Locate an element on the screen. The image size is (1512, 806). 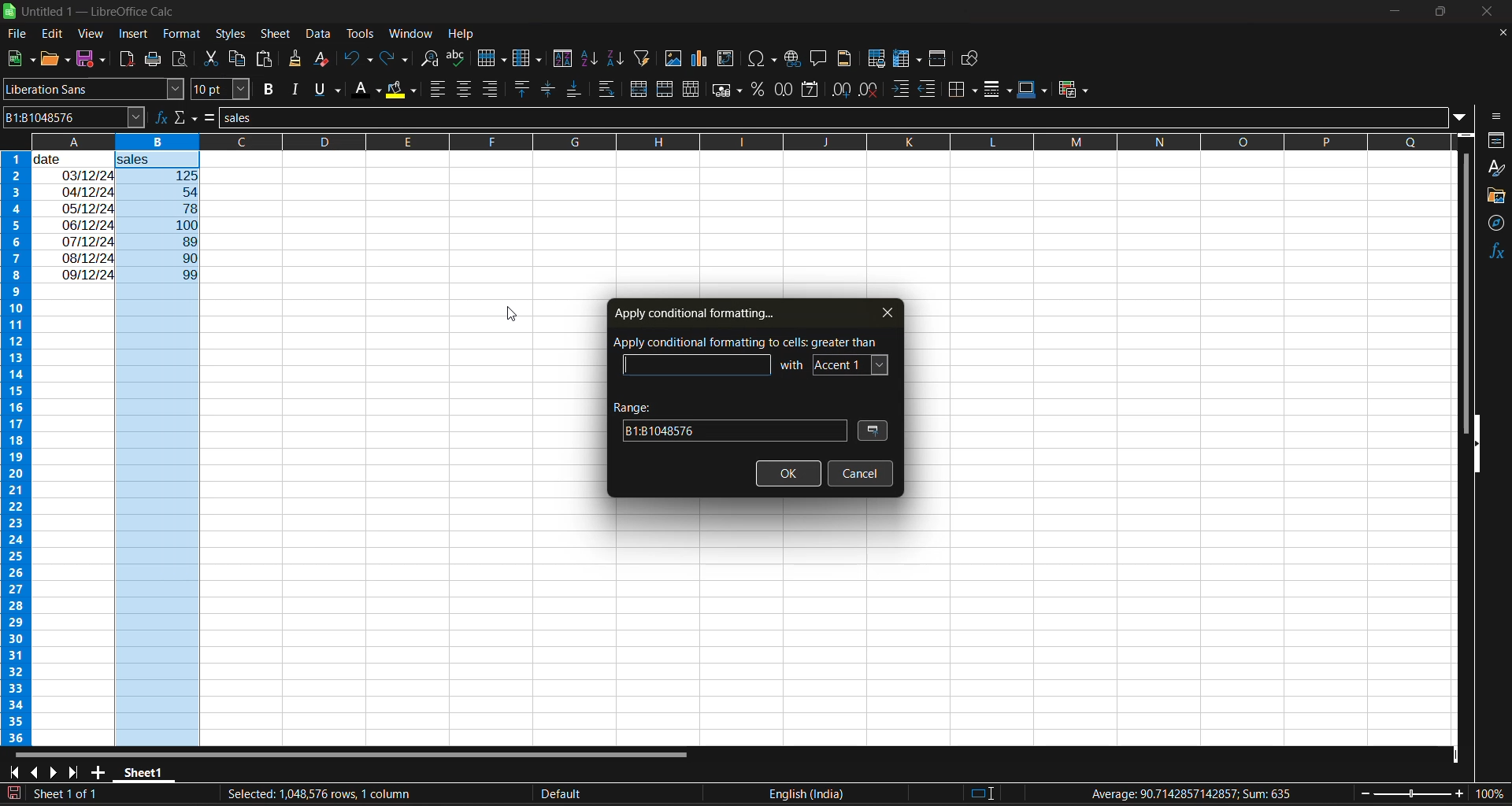
formula is located at coordinates (1193, 793).